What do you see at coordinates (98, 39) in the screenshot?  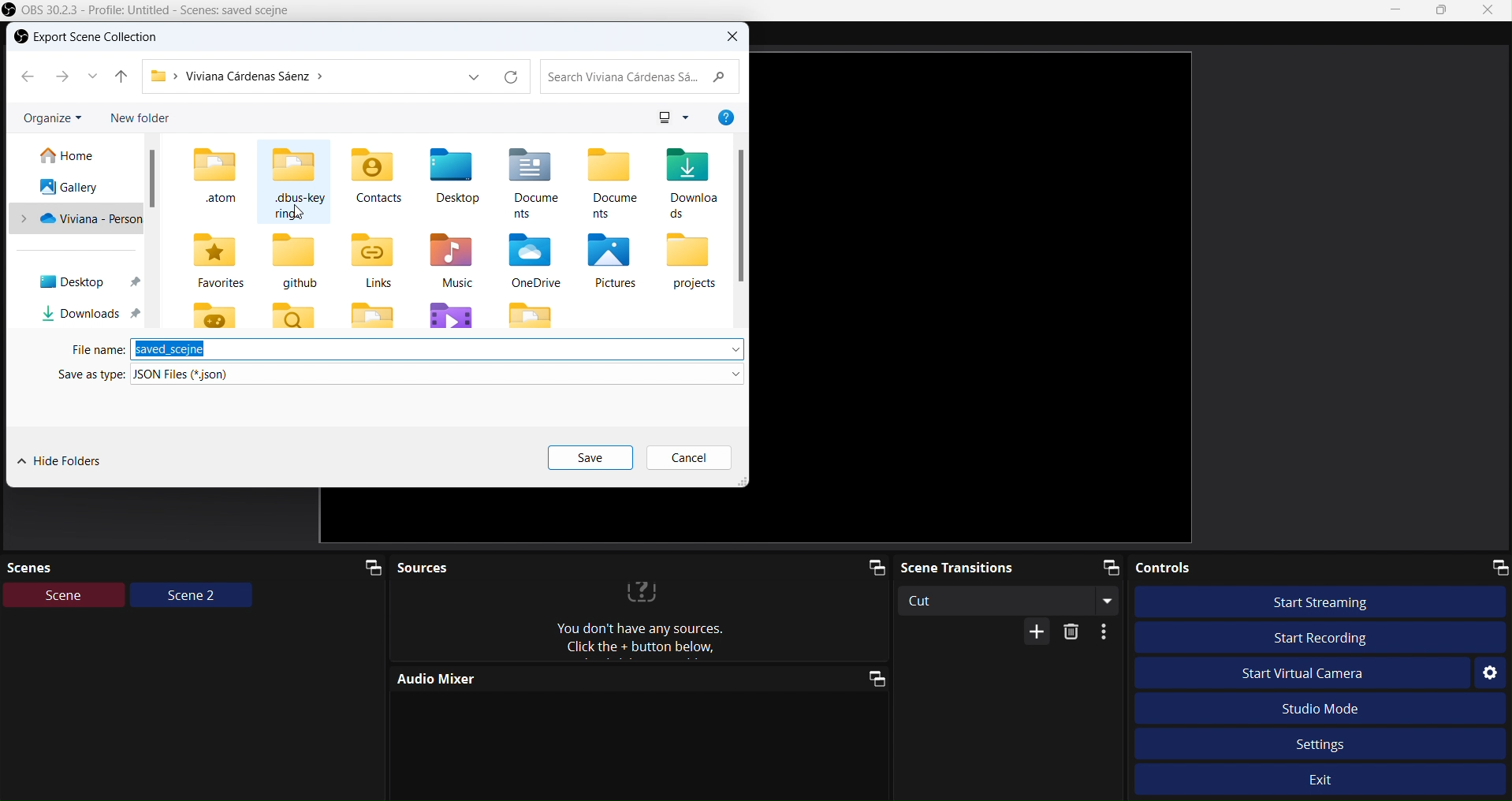 I see `Export Scene Selection` at bounding box center [98, 39].